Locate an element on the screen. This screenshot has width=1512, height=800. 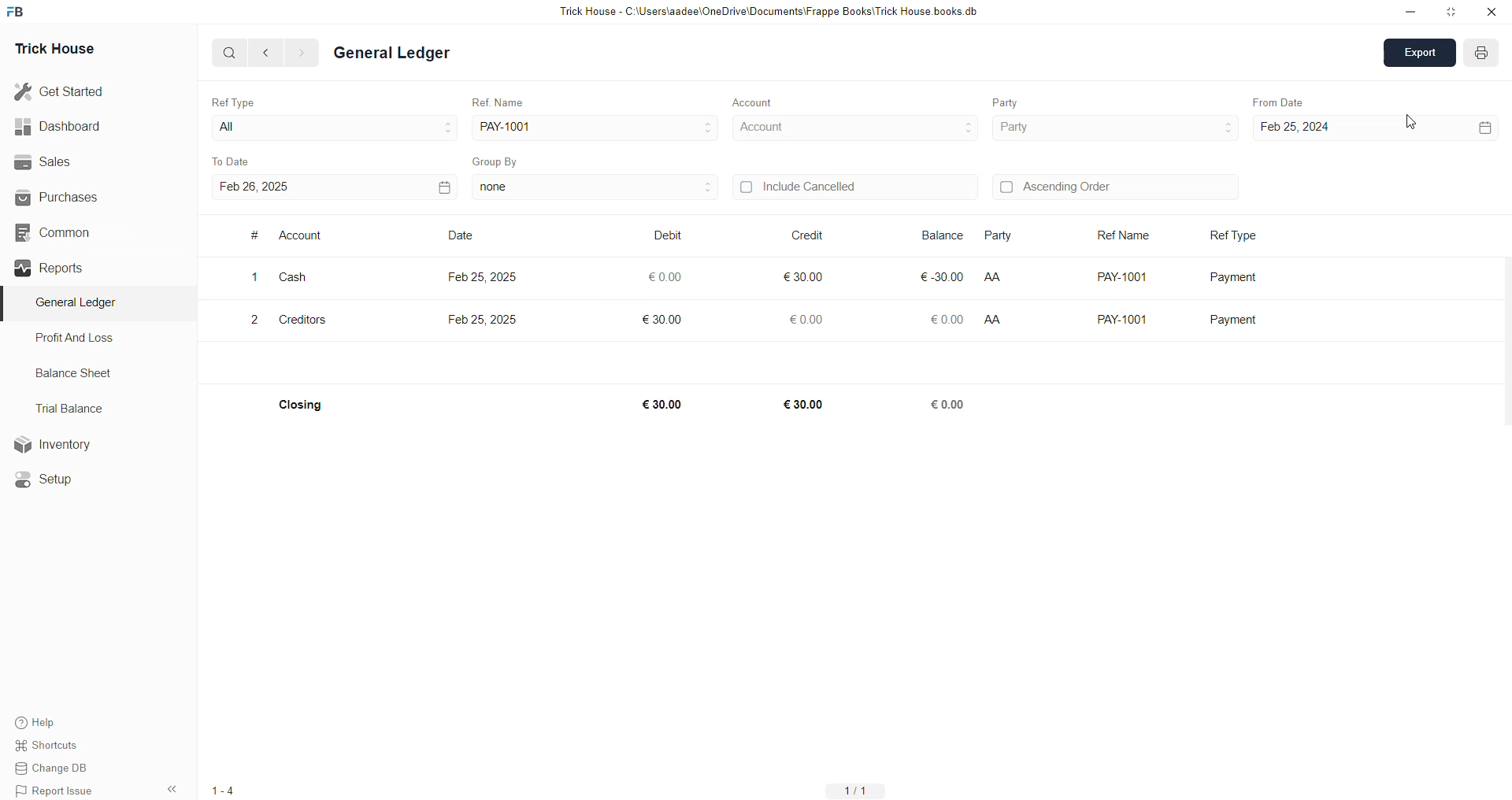
Feb 25,2025 is located at coordinates (485, 317).